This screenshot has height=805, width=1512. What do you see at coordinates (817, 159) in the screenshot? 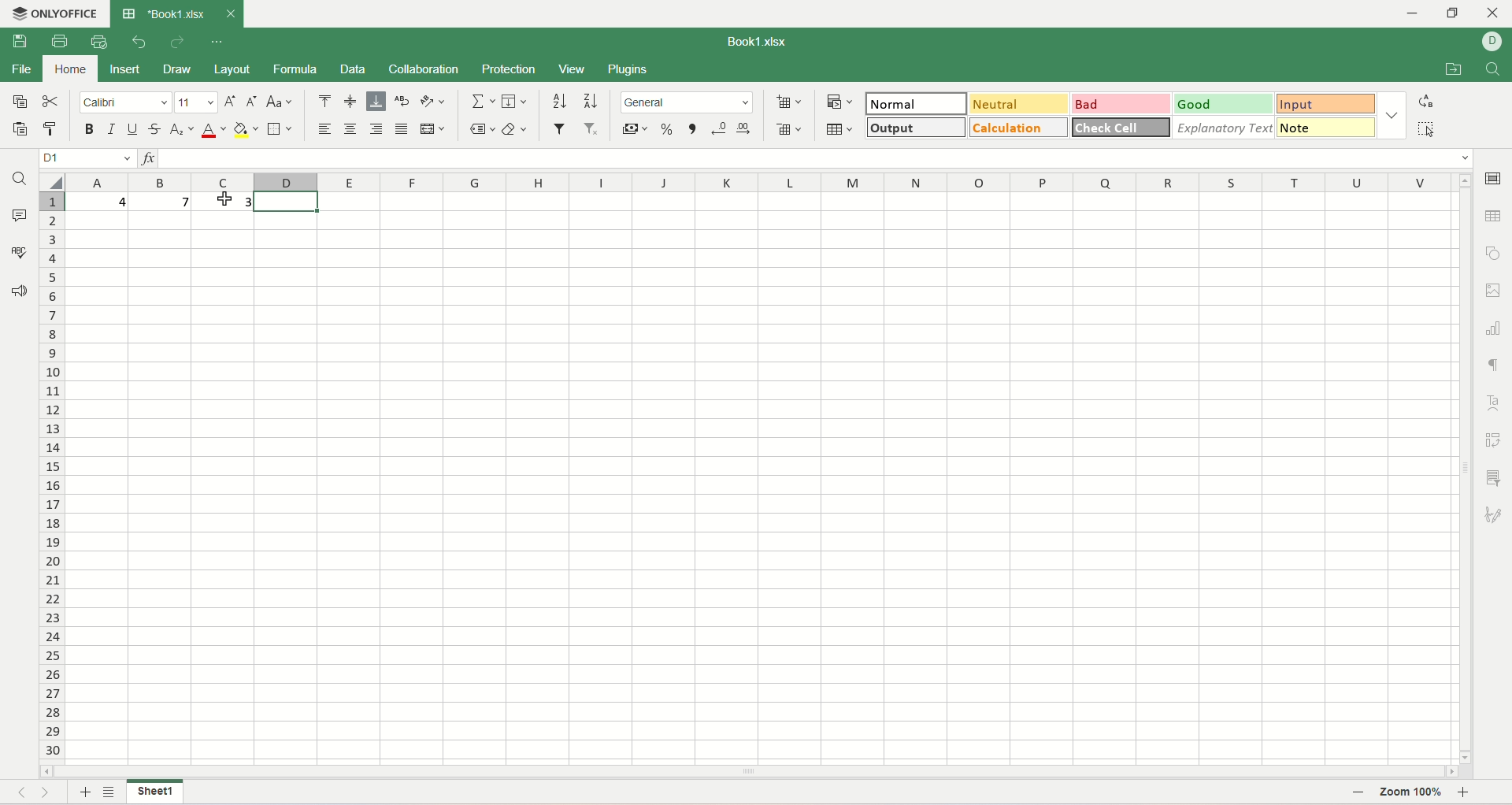
I see `input line` at bounding box center [817, 159].